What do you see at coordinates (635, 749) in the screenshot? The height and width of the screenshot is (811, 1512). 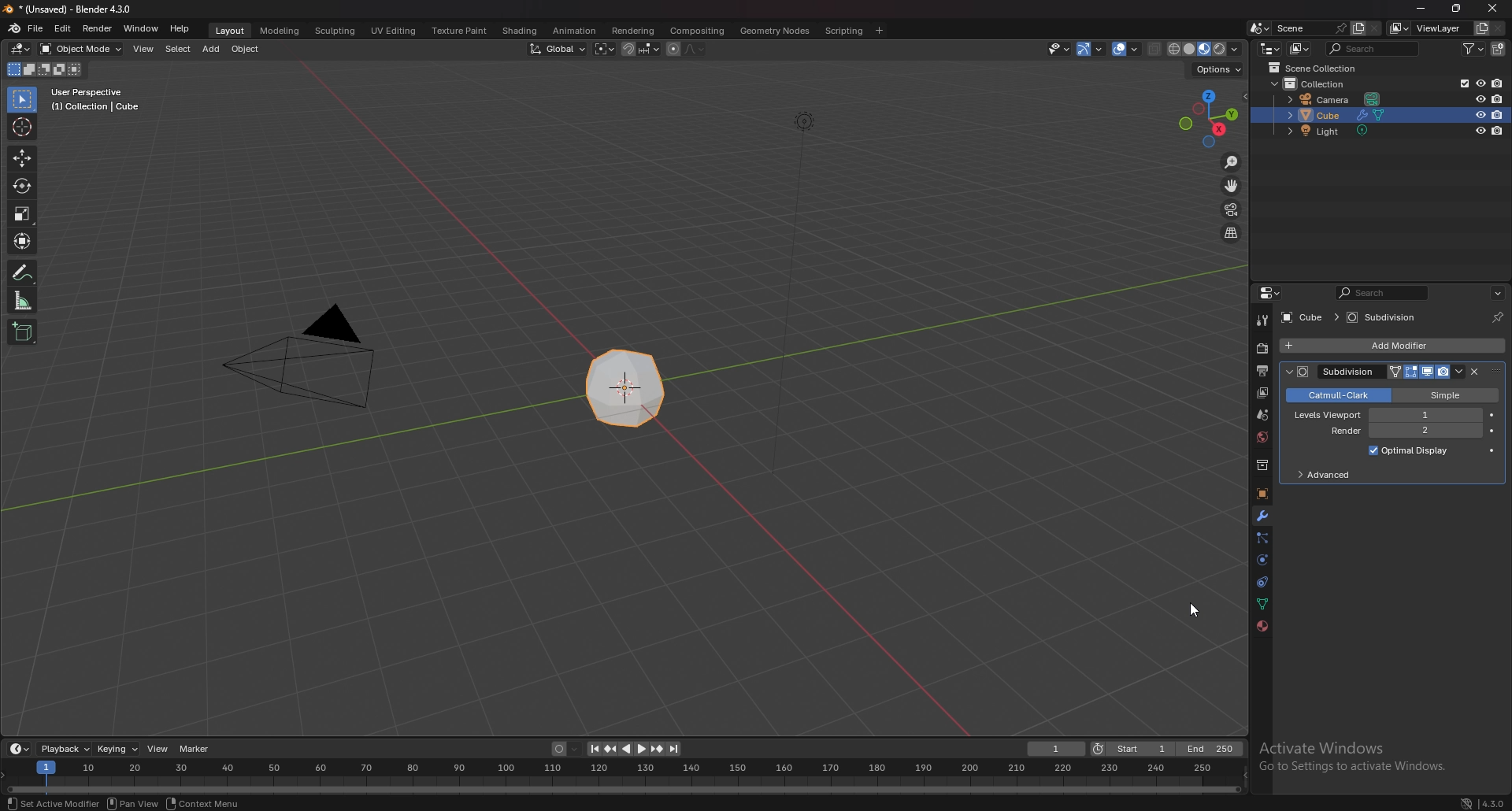 I see `play animation` at bounding box center [635, 749].